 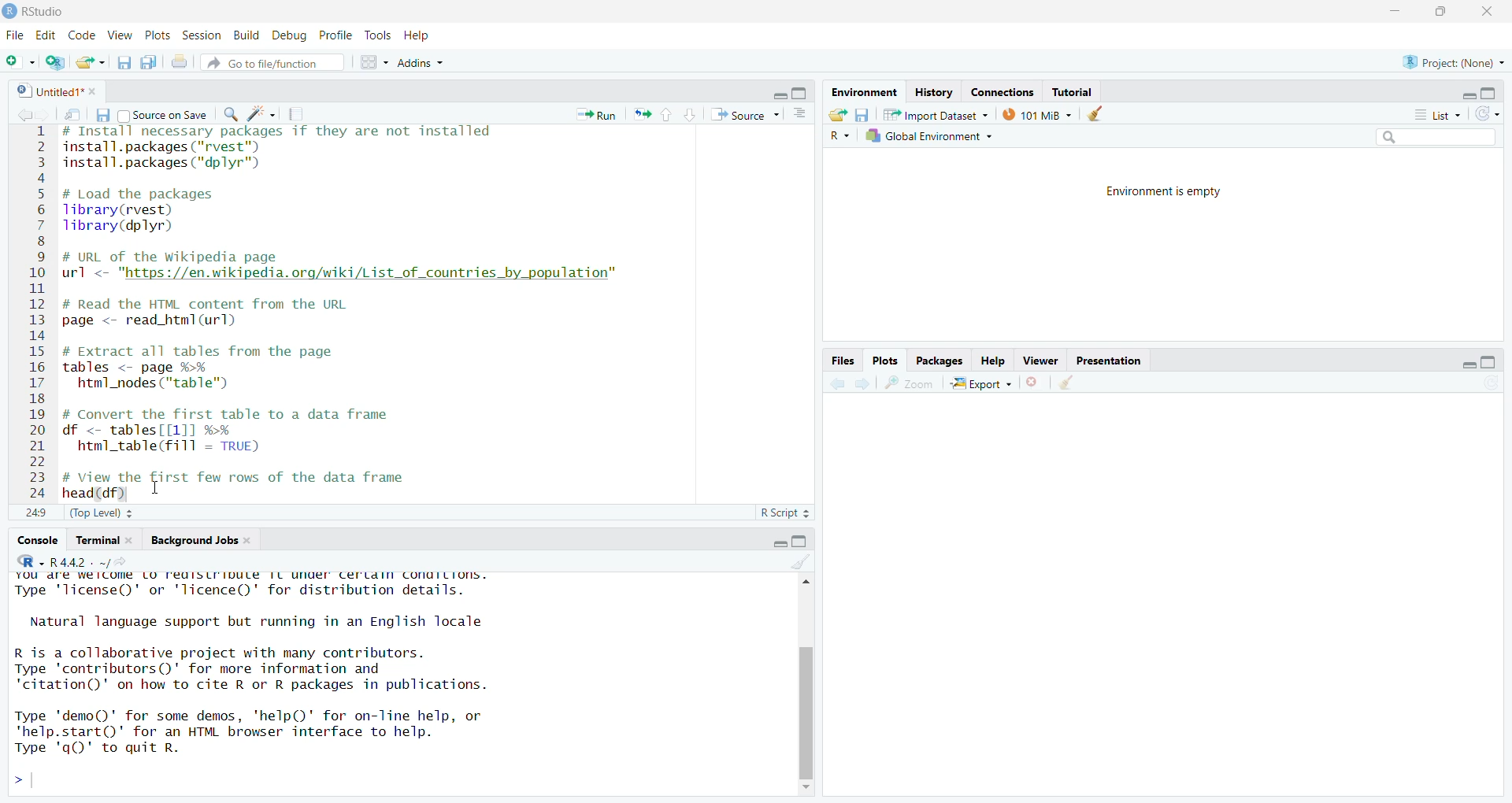 I want to click on Viewer, so click(x=1041, y=360).